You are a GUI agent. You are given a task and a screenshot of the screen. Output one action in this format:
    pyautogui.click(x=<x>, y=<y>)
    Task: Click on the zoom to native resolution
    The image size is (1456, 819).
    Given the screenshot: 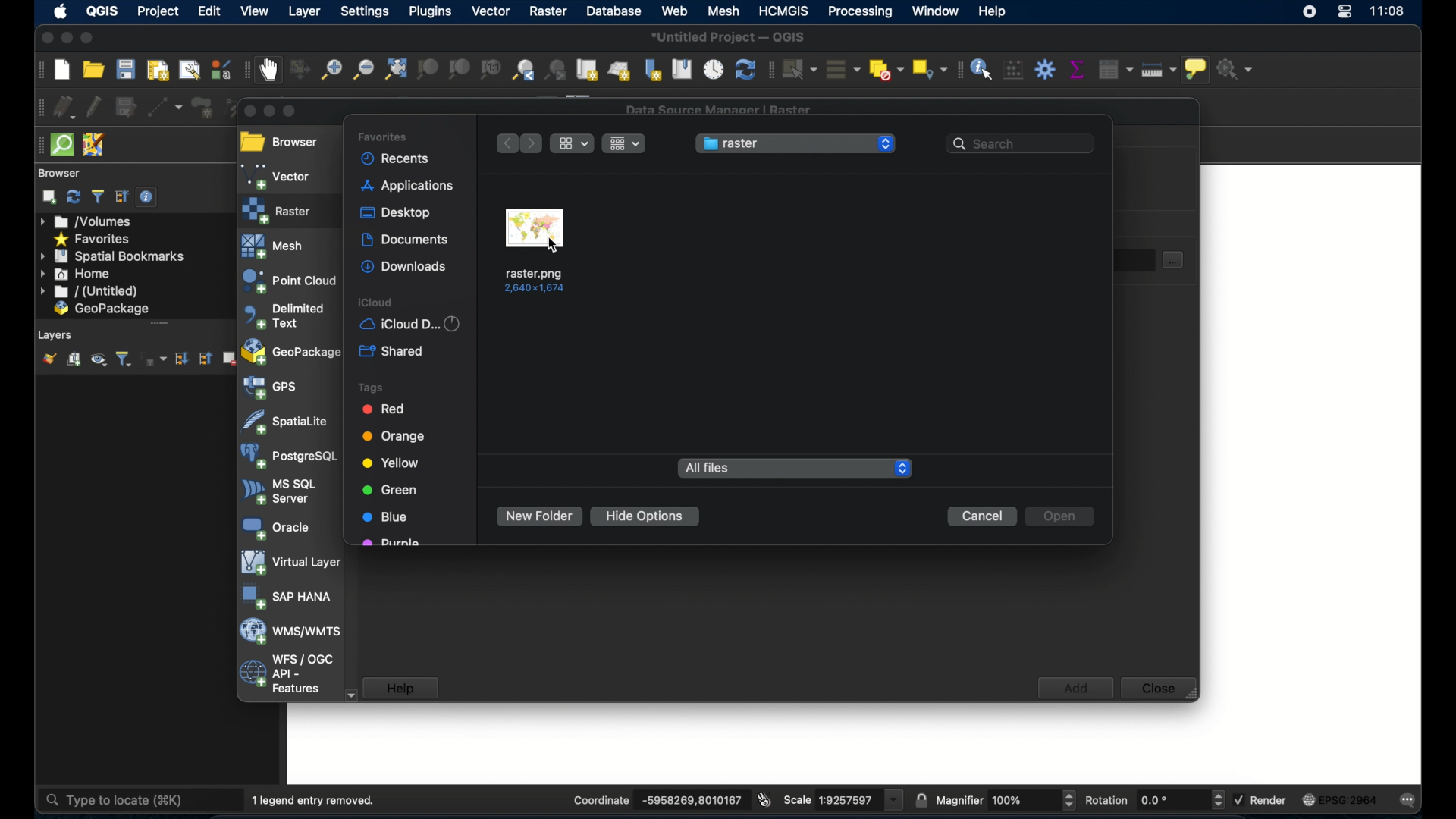 What is the action you would take?
    pyautogui.click(x=491, y=69)
    